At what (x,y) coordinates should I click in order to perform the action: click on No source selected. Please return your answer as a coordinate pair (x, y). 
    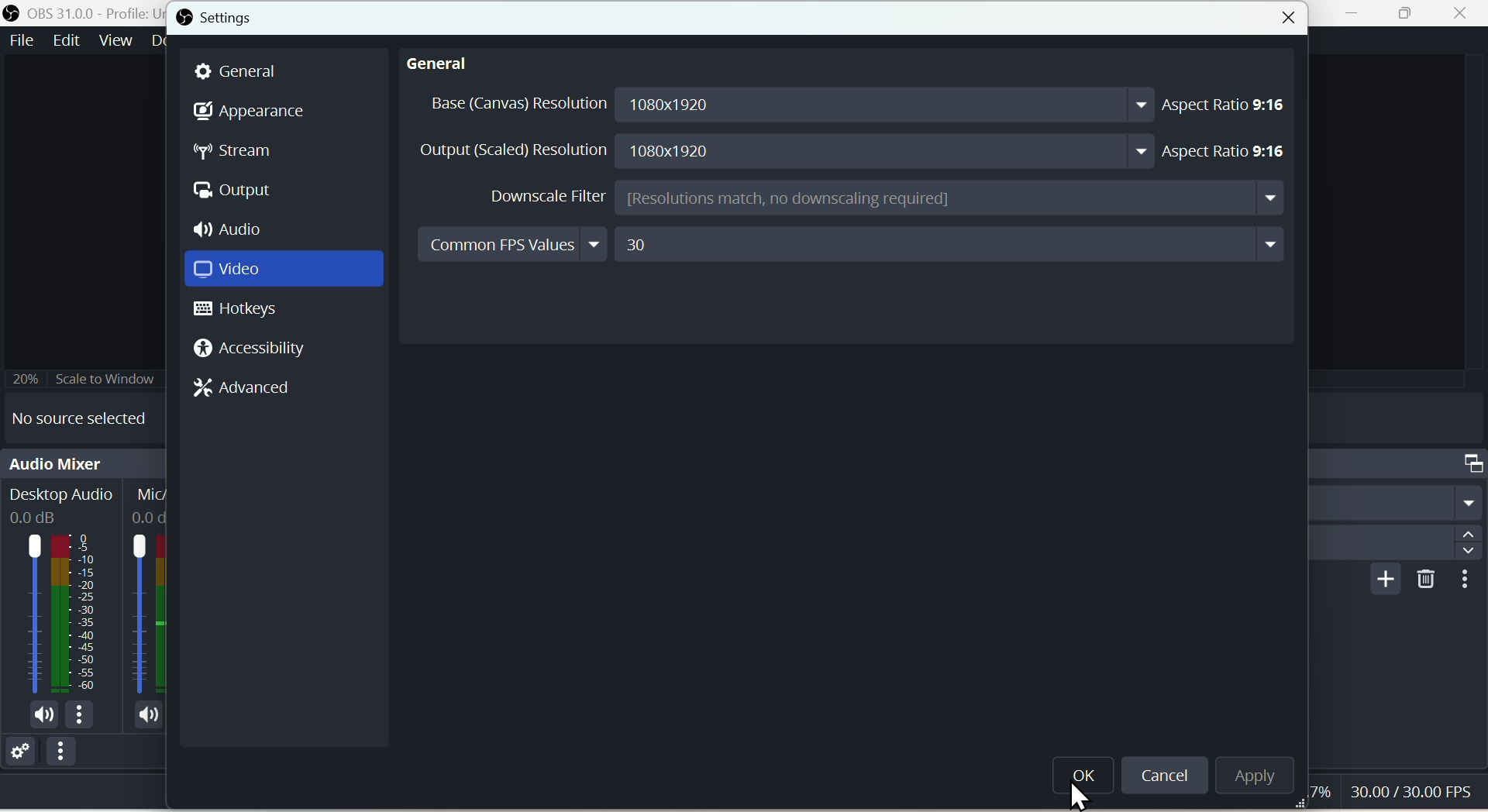
    Looking at the image, I should click on (89, 415).